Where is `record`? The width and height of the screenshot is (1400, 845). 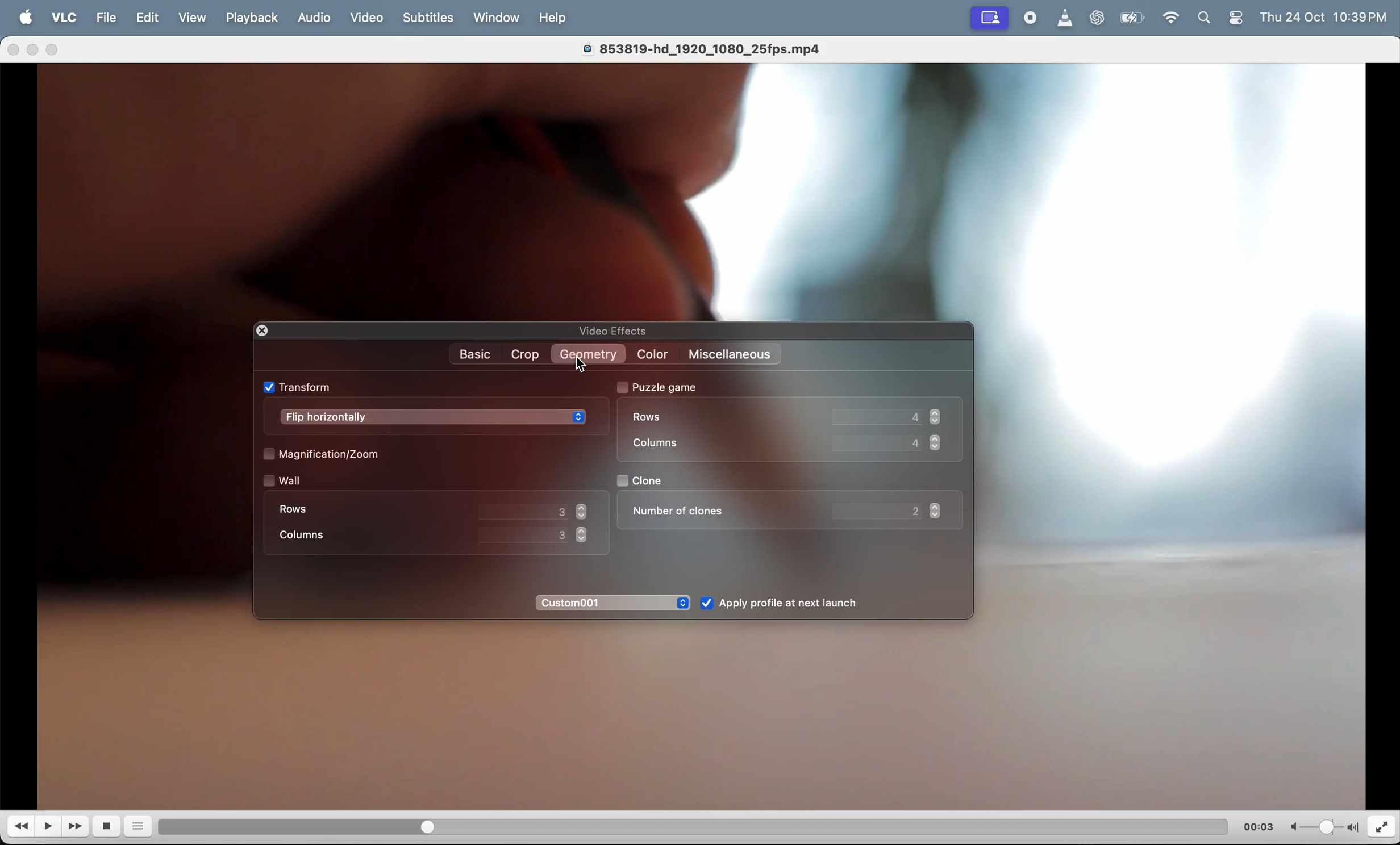
record is located at coordinates (1030, 18).